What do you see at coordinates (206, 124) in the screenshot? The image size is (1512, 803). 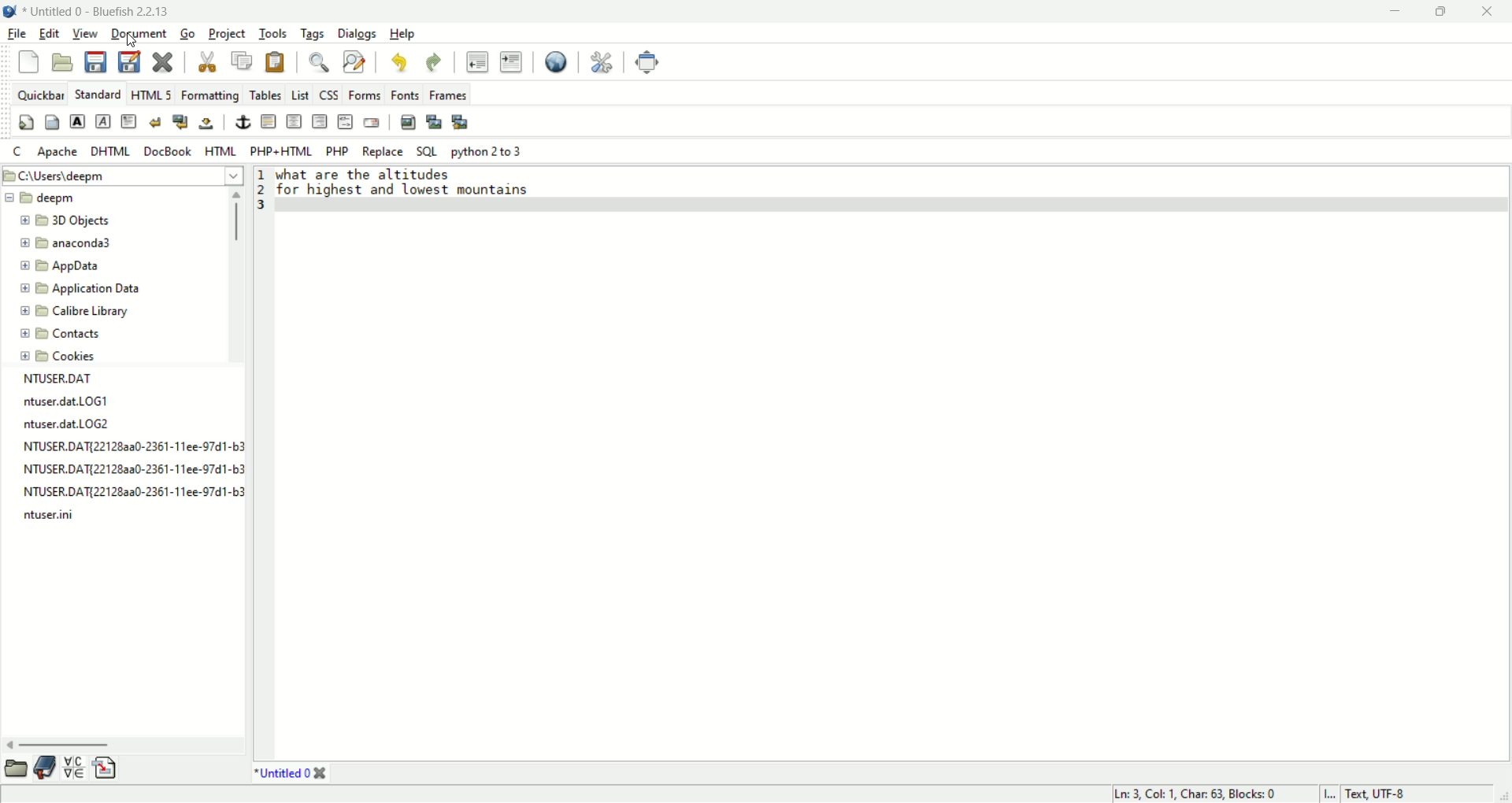 I see `non-breaking space` at bounding box center [206, 124].